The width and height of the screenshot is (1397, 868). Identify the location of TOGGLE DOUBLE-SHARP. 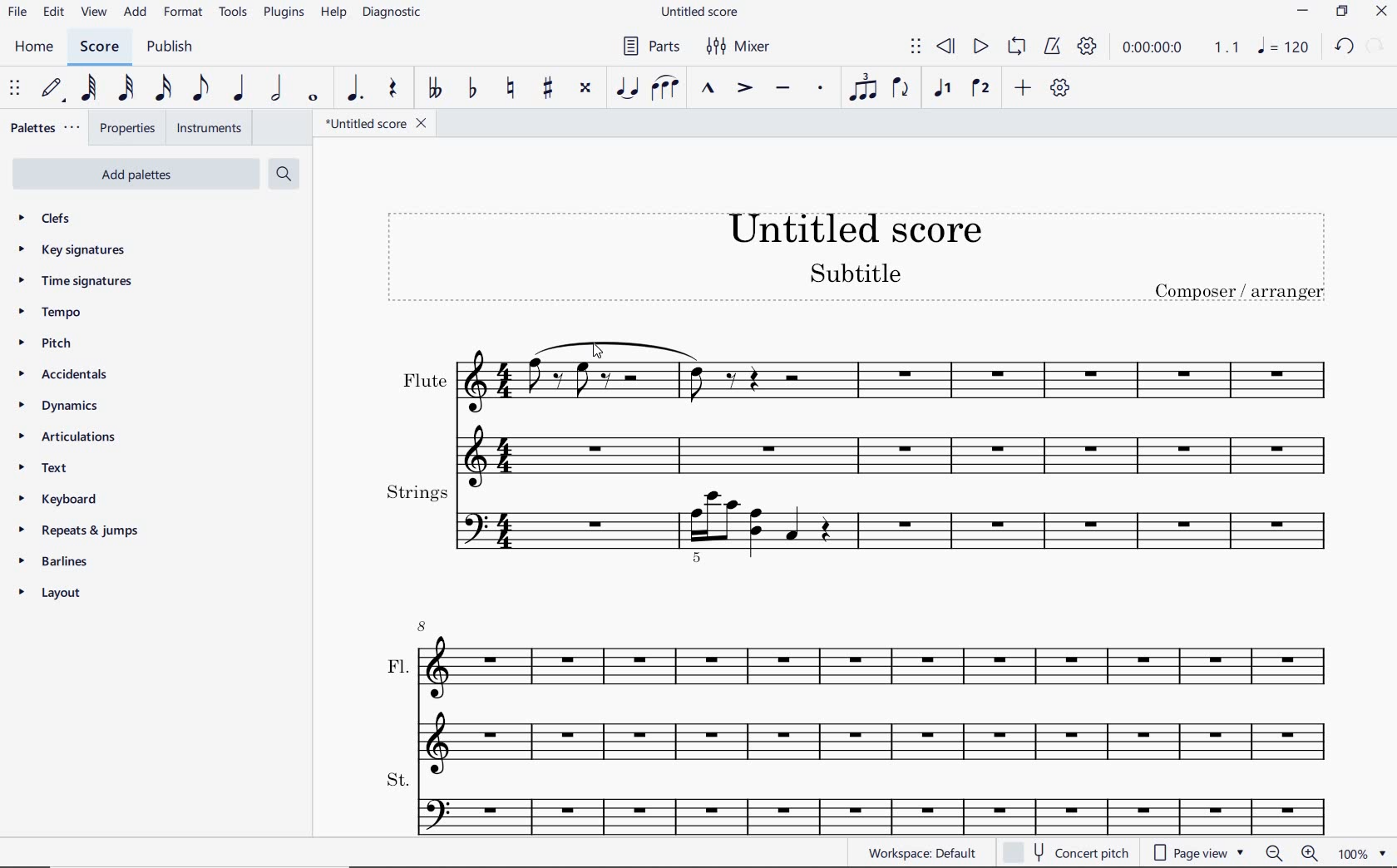
(586, 89).